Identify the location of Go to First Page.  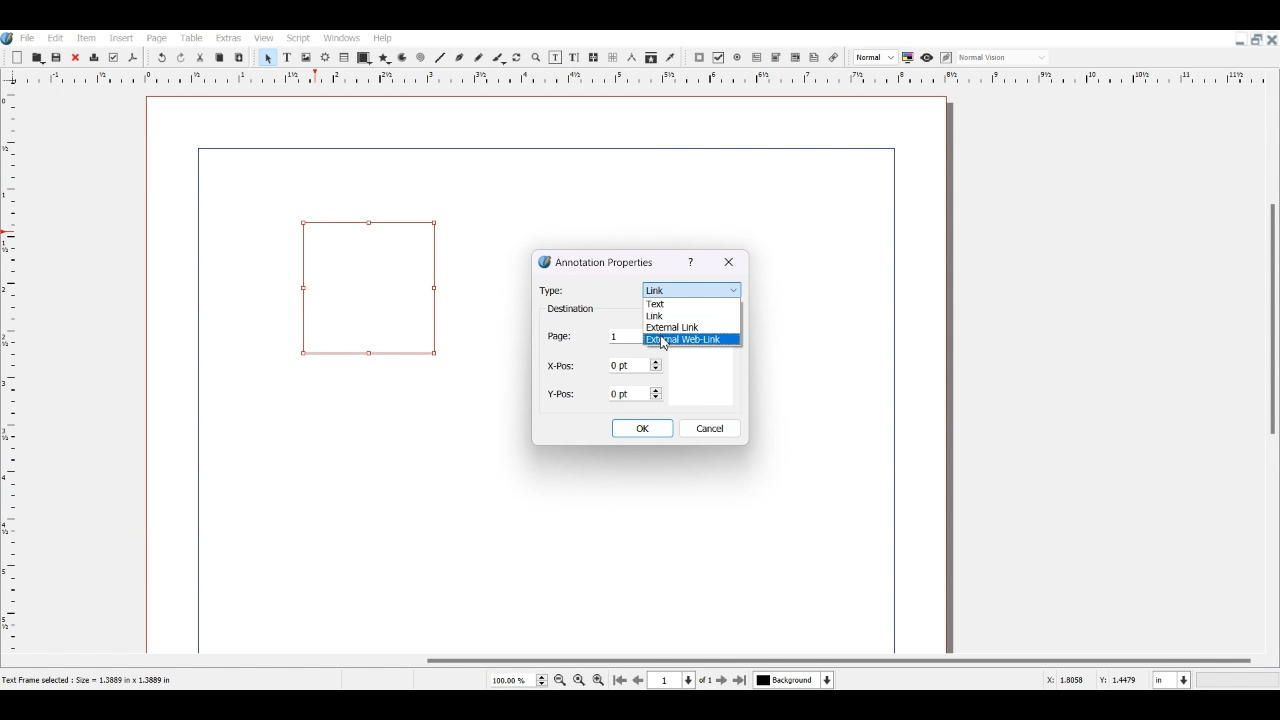
(620, 680).